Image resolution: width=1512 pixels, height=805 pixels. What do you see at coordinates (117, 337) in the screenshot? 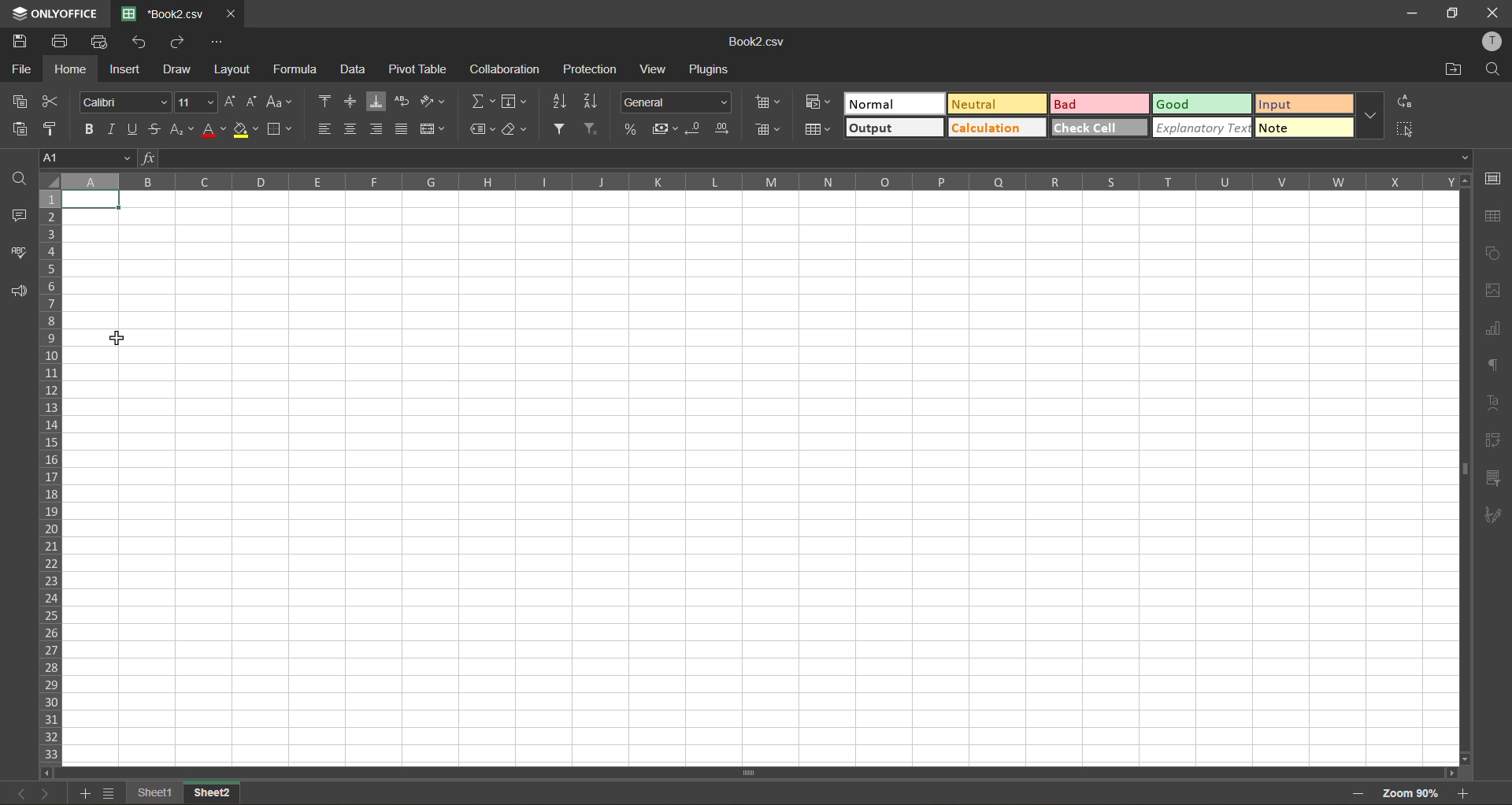
I see `cursor` at bounding box center [117, 337].